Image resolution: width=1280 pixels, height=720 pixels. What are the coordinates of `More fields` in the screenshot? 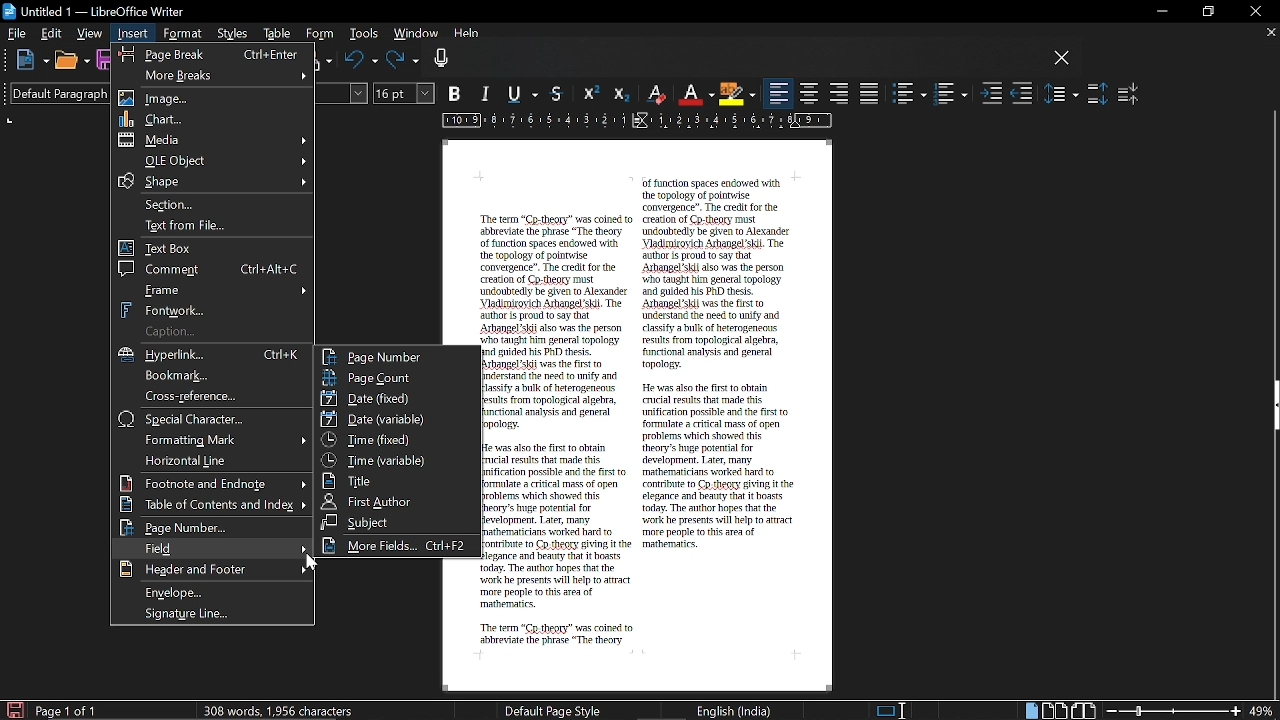 It's located at (398, 546).